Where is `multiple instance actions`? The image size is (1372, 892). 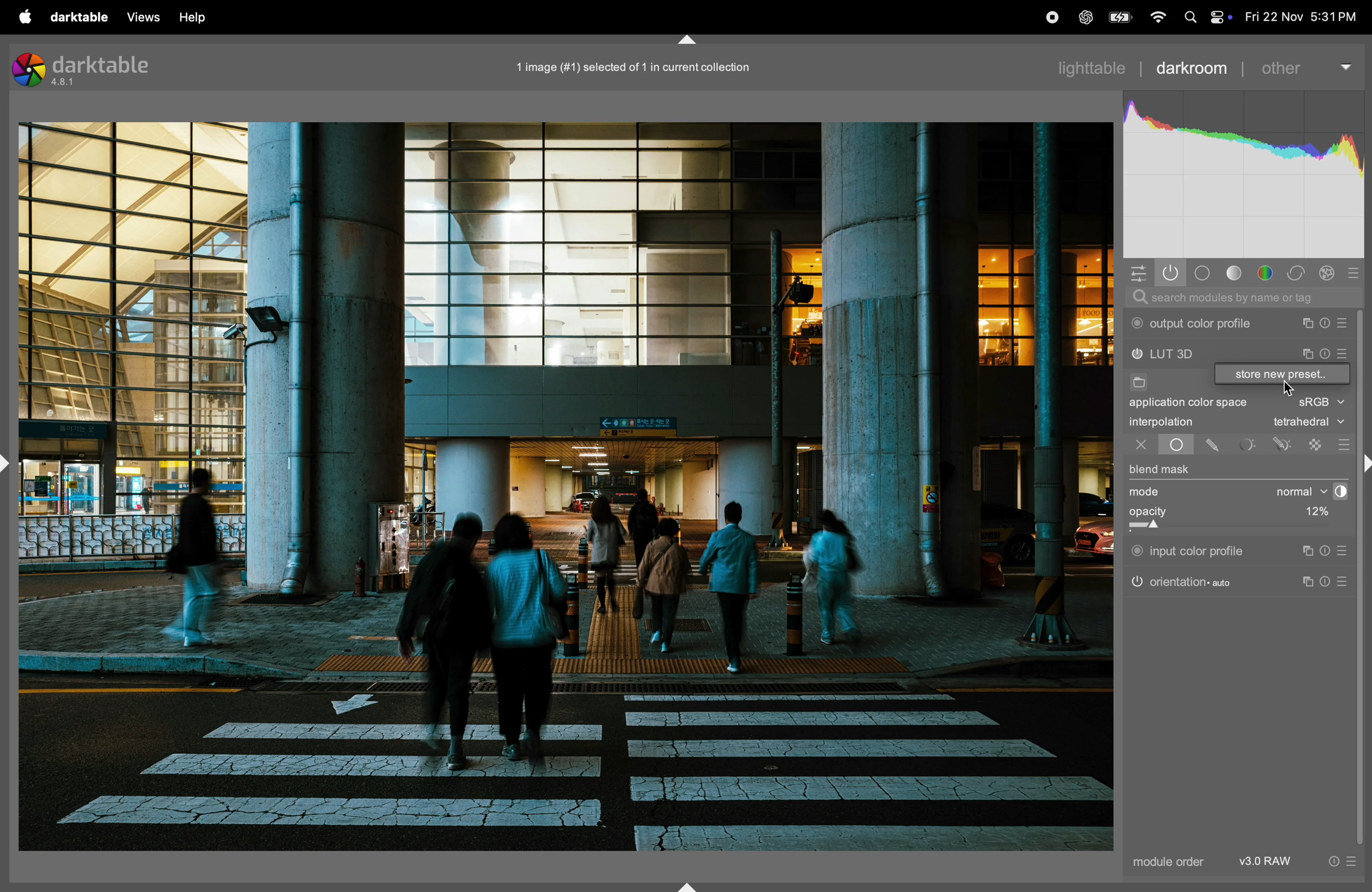 multiple instance actions is located at coordinates (1307, 354).